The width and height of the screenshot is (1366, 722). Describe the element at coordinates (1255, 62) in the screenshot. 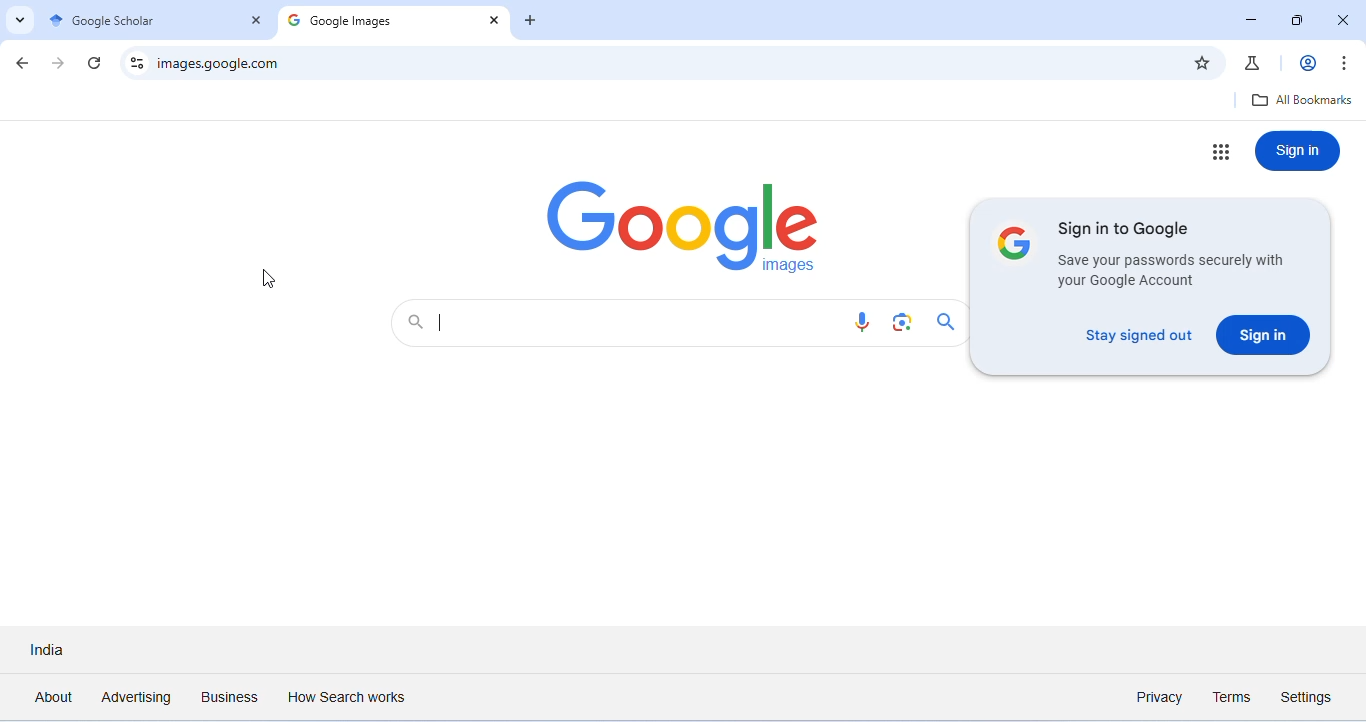

I see `chrome labs` at that location.